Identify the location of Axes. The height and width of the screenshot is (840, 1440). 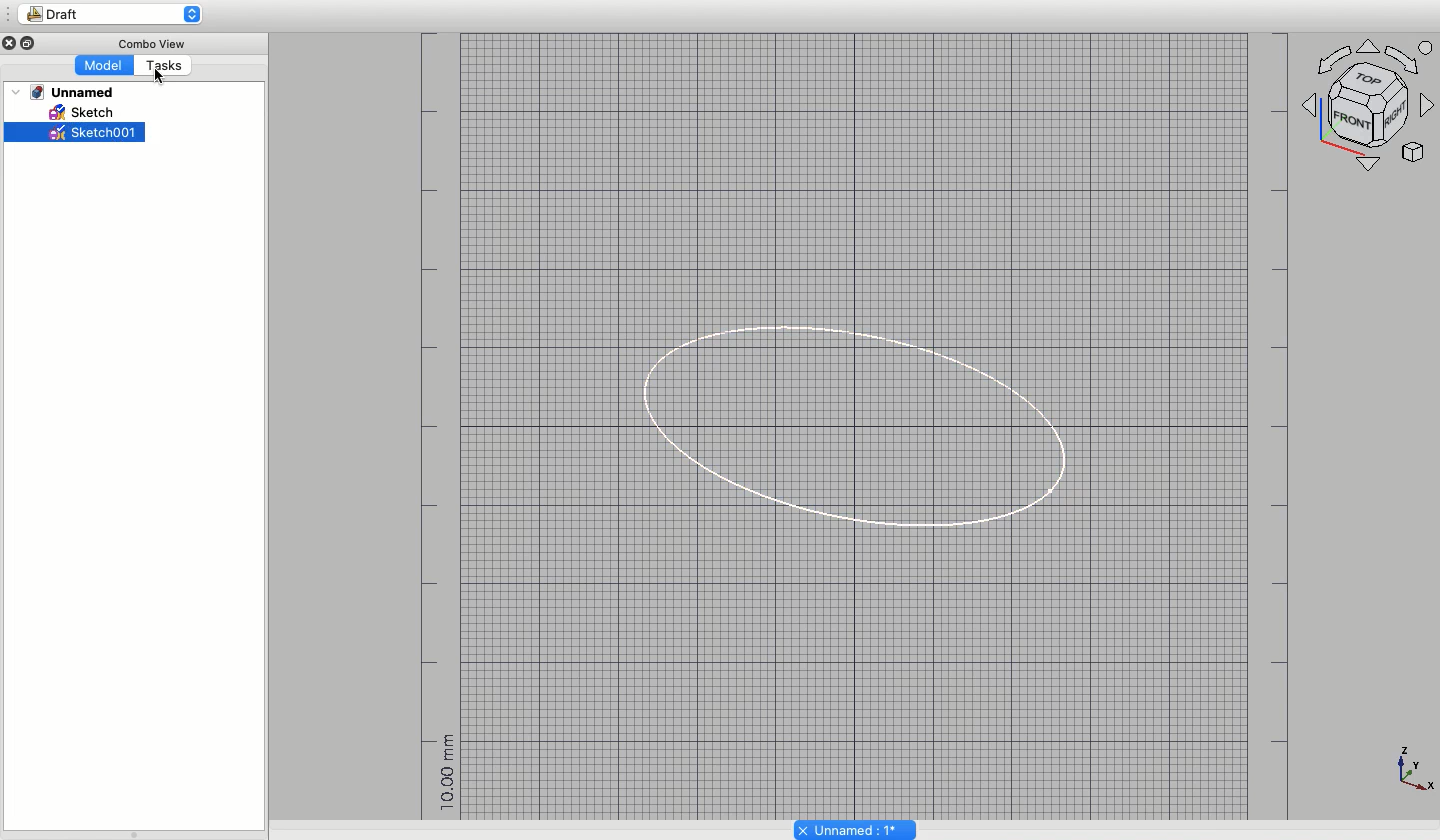
(1414, 773).